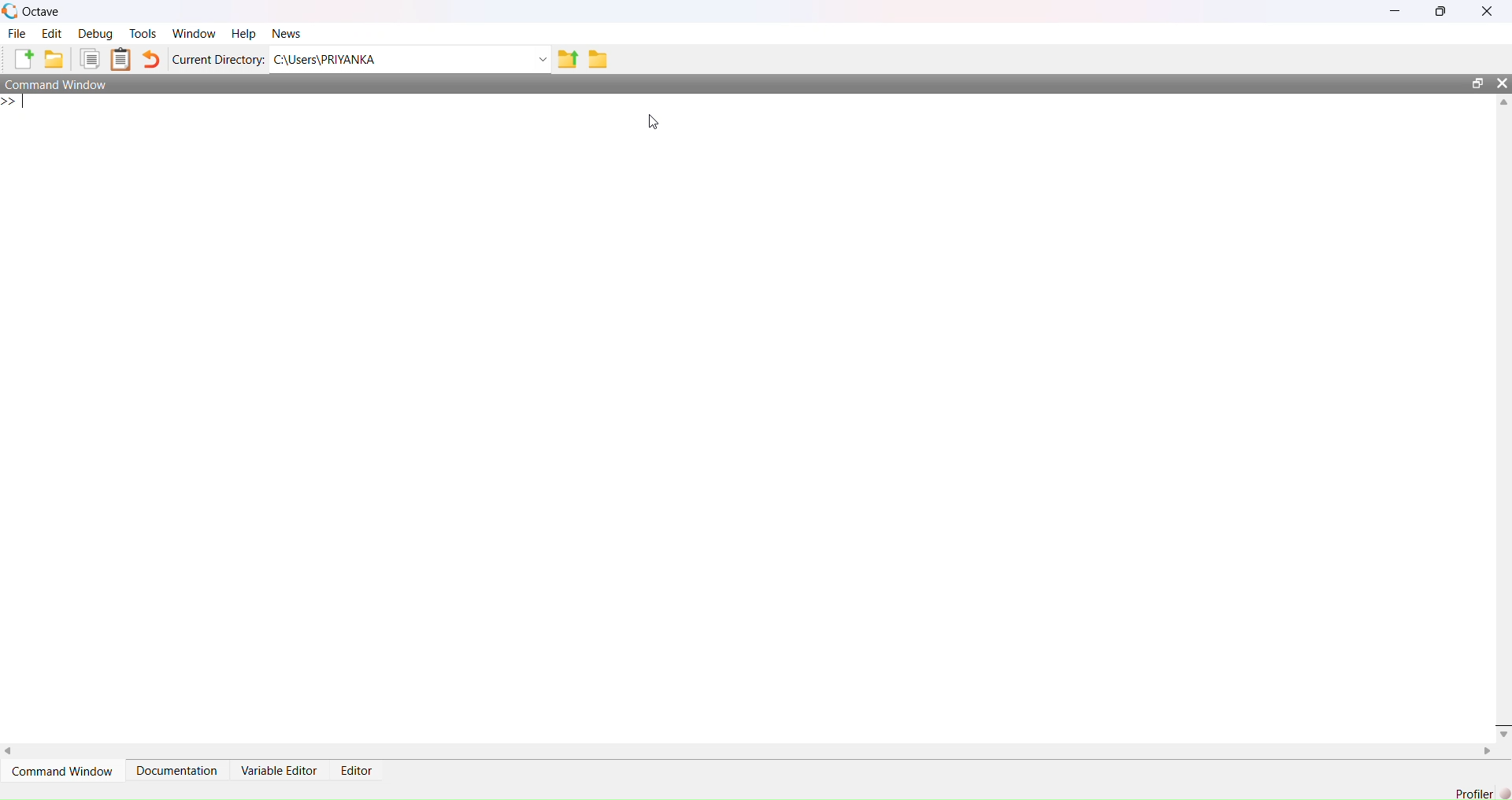  What do you see at coordinates (653, 124) in the screenshot?
I see `Cursor` at bounding box center [653, 124].